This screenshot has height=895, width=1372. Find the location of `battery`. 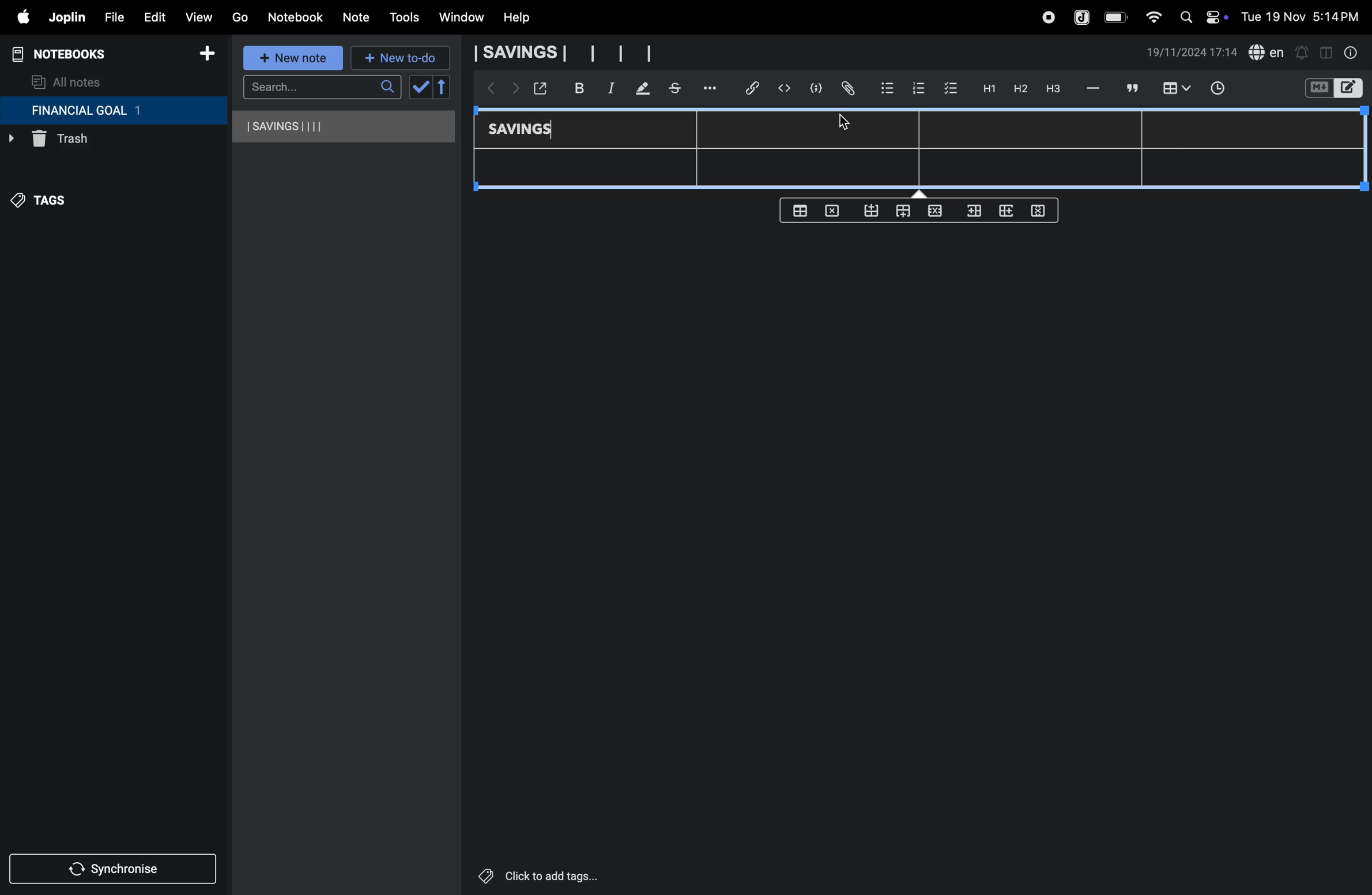

battery is located at coordinates (1117, 17).